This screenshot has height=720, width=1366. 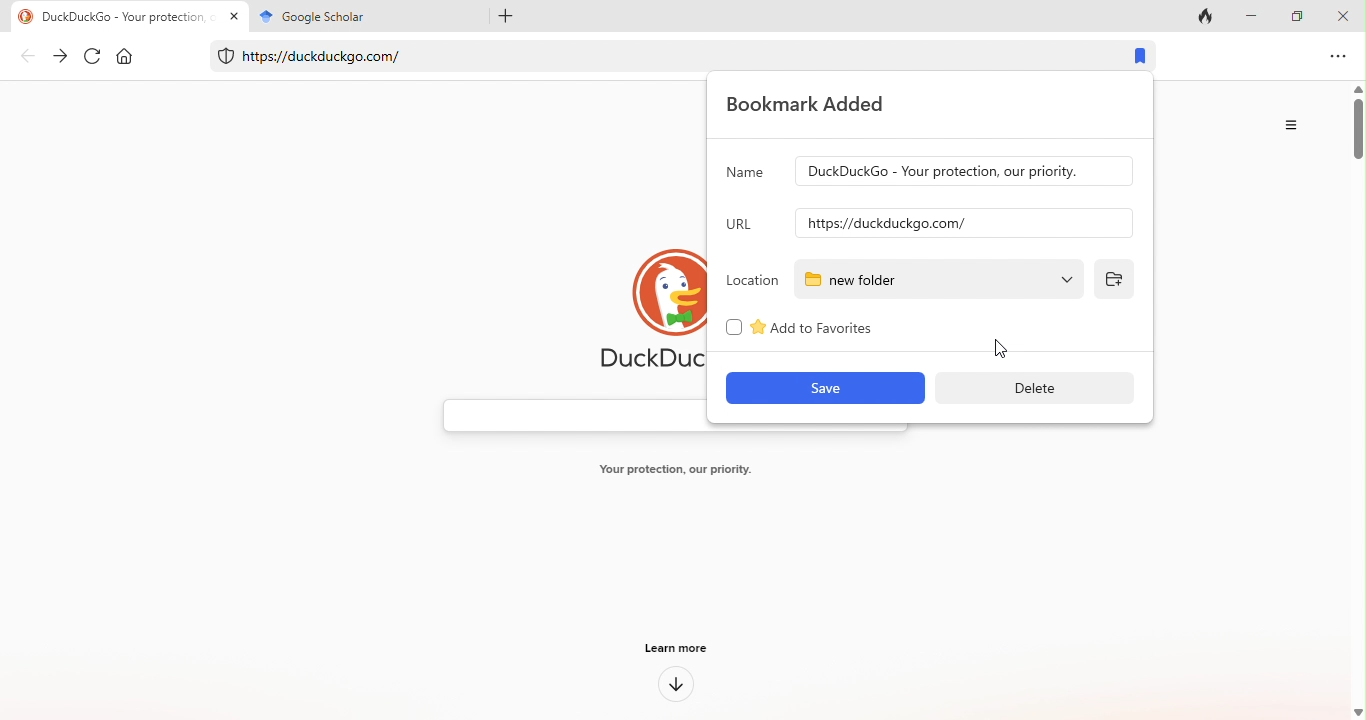 I want to click on option, so click(x=1295, y=125).